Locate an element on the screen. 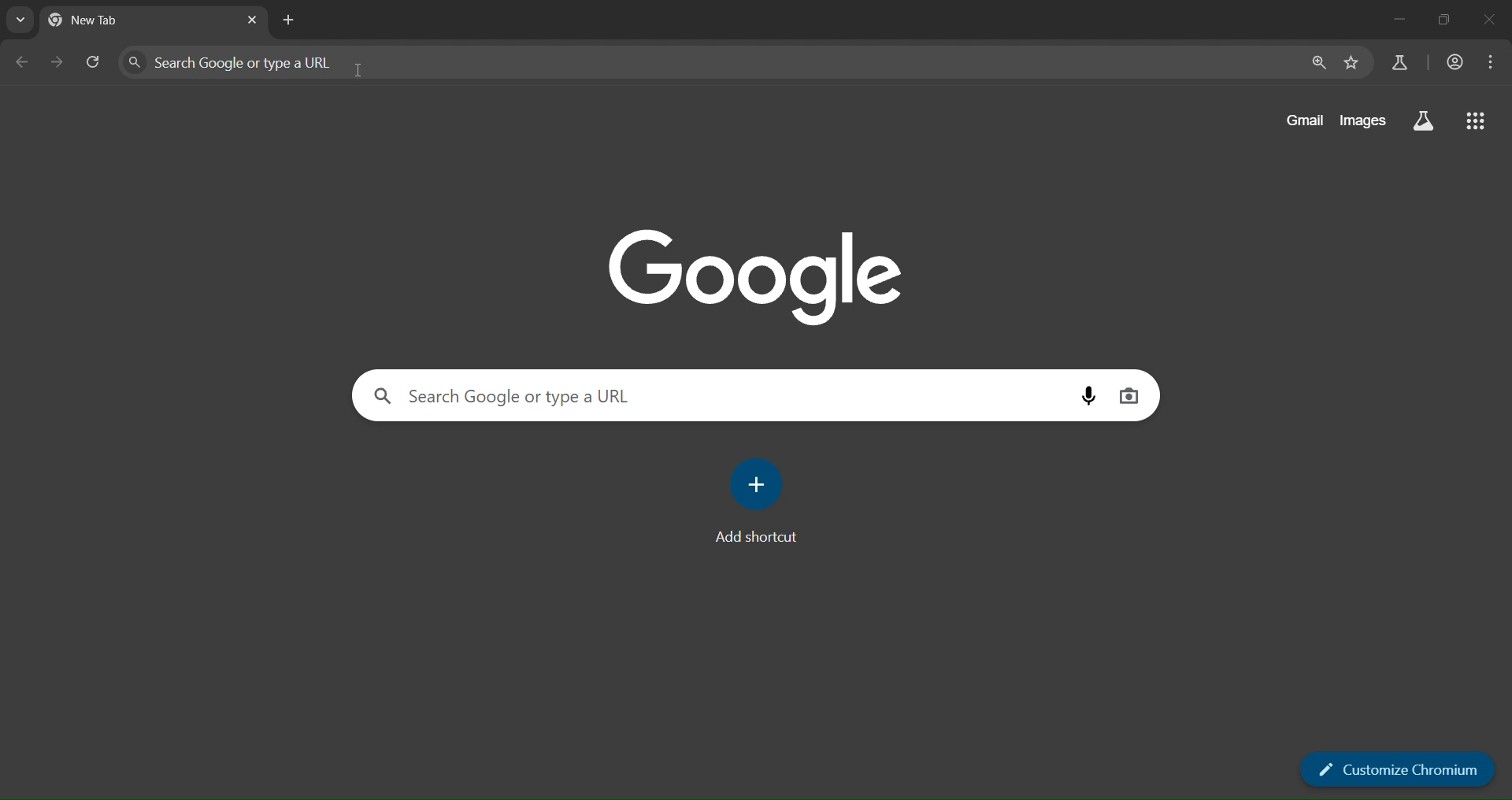 This screenshot has width=1512, height=800. google is located at coordinates (758, 276).